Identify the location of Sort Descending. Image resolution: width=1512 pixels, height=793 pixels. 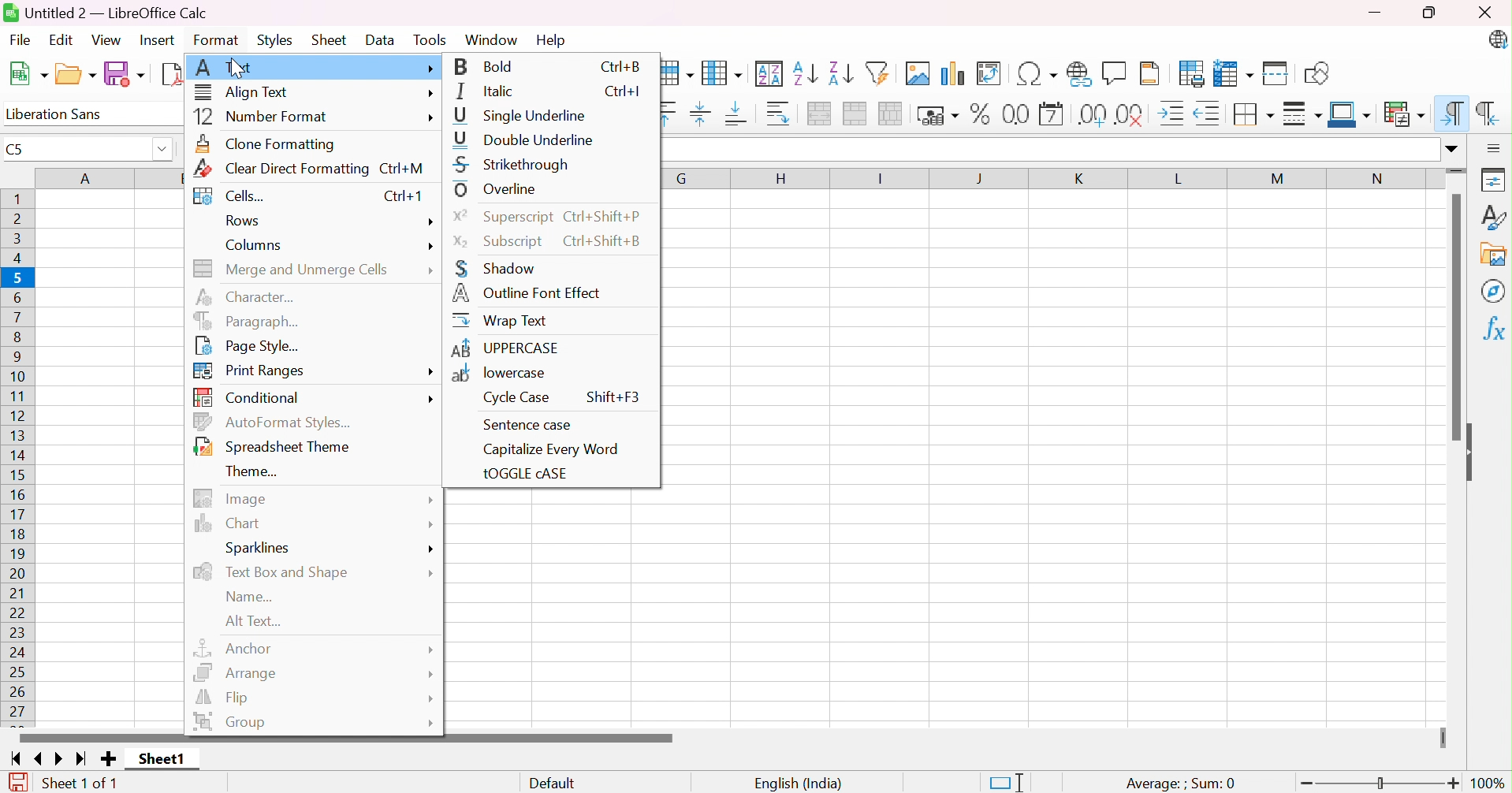
(842, 72).